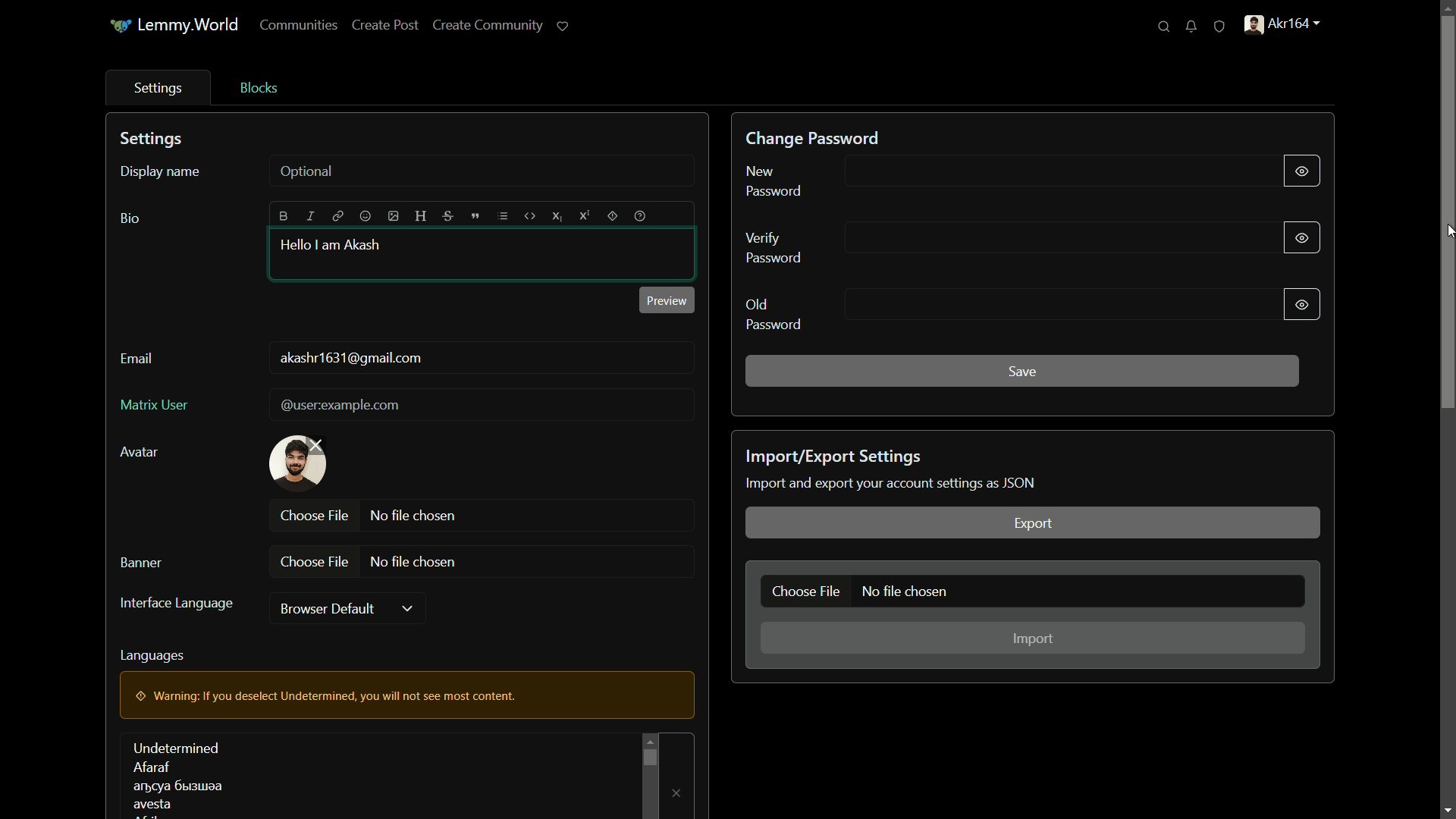 This screenshot has width=1456, height=819. What do you see at coordinates (1301, 239) in the screenshot?
I see `show/hide` at bounding box center [1301, 239].